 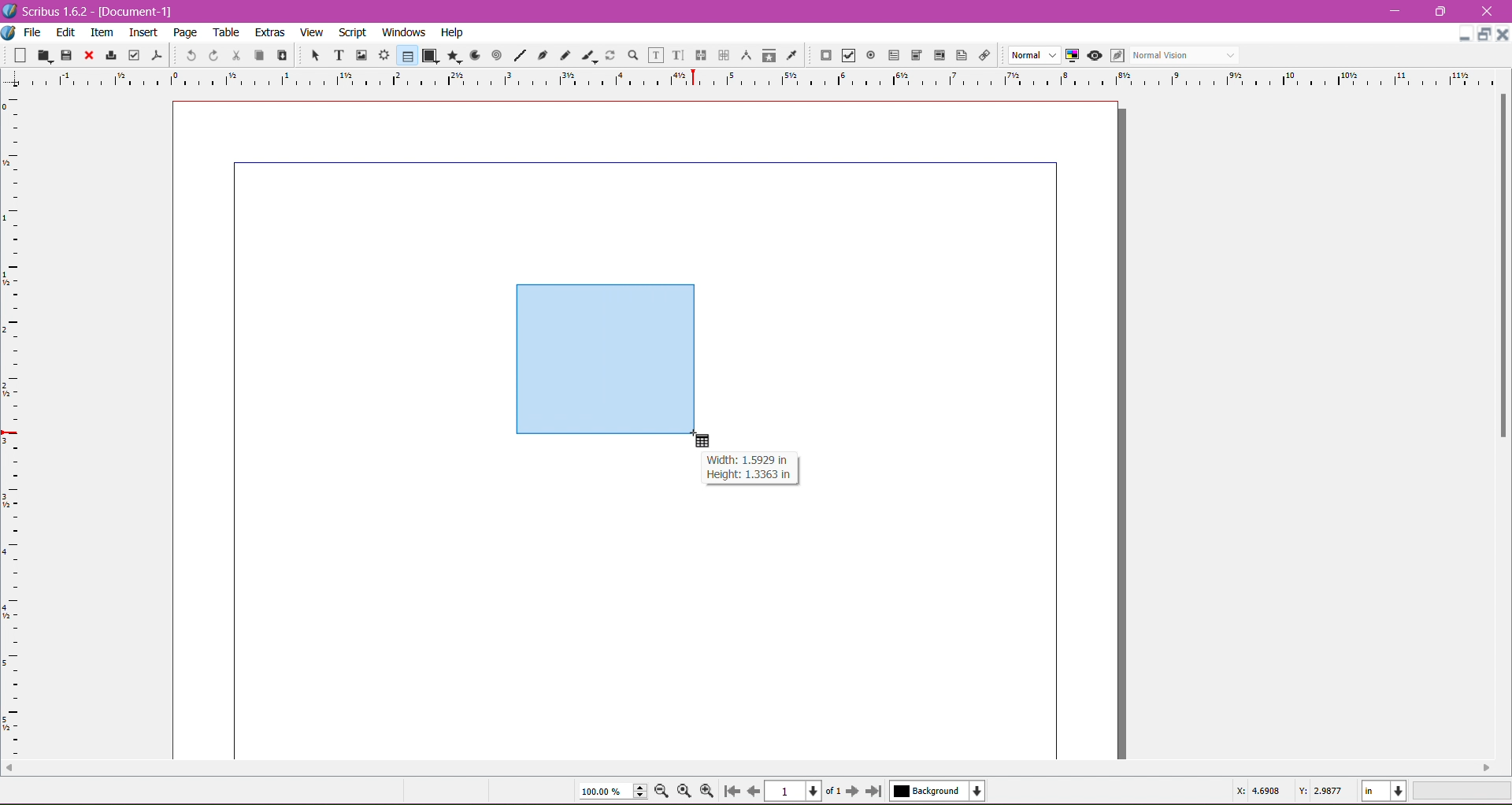 What do you see at coordinates (270, 32) in the screenshot?
I see `Extras` at bounding box center [270, 32].